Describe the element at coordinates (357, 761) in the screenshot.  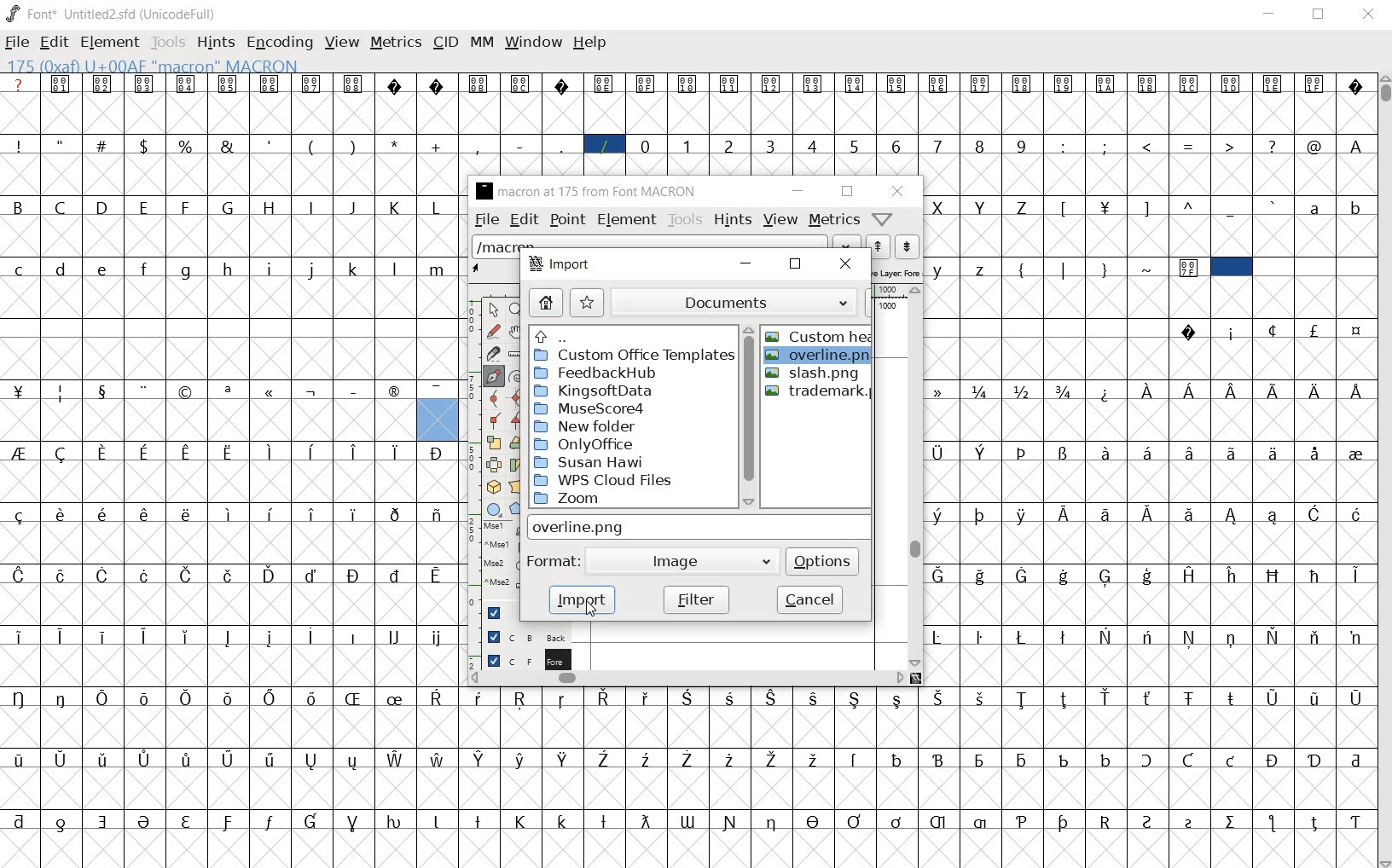
I see `Symbol` at that location.